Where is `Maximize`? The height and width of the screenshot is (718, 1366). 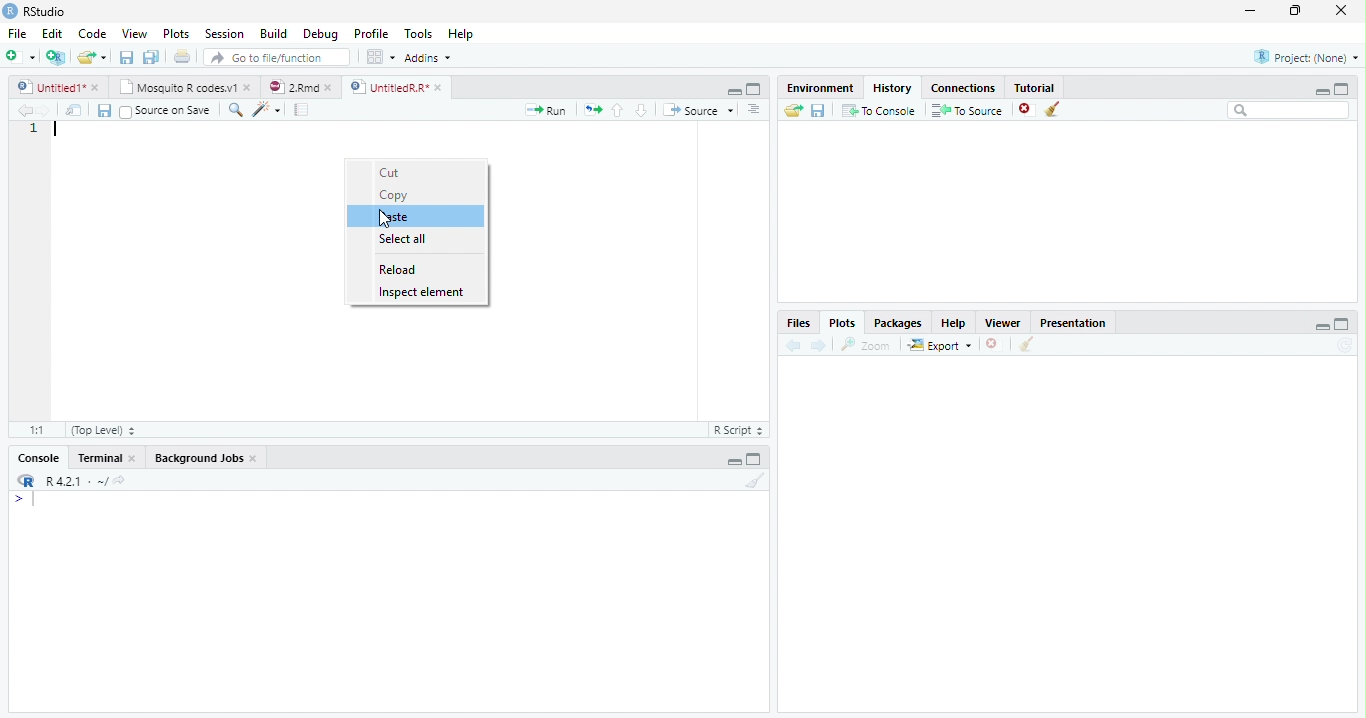 Maximize is located at coordinates (1346, 88).